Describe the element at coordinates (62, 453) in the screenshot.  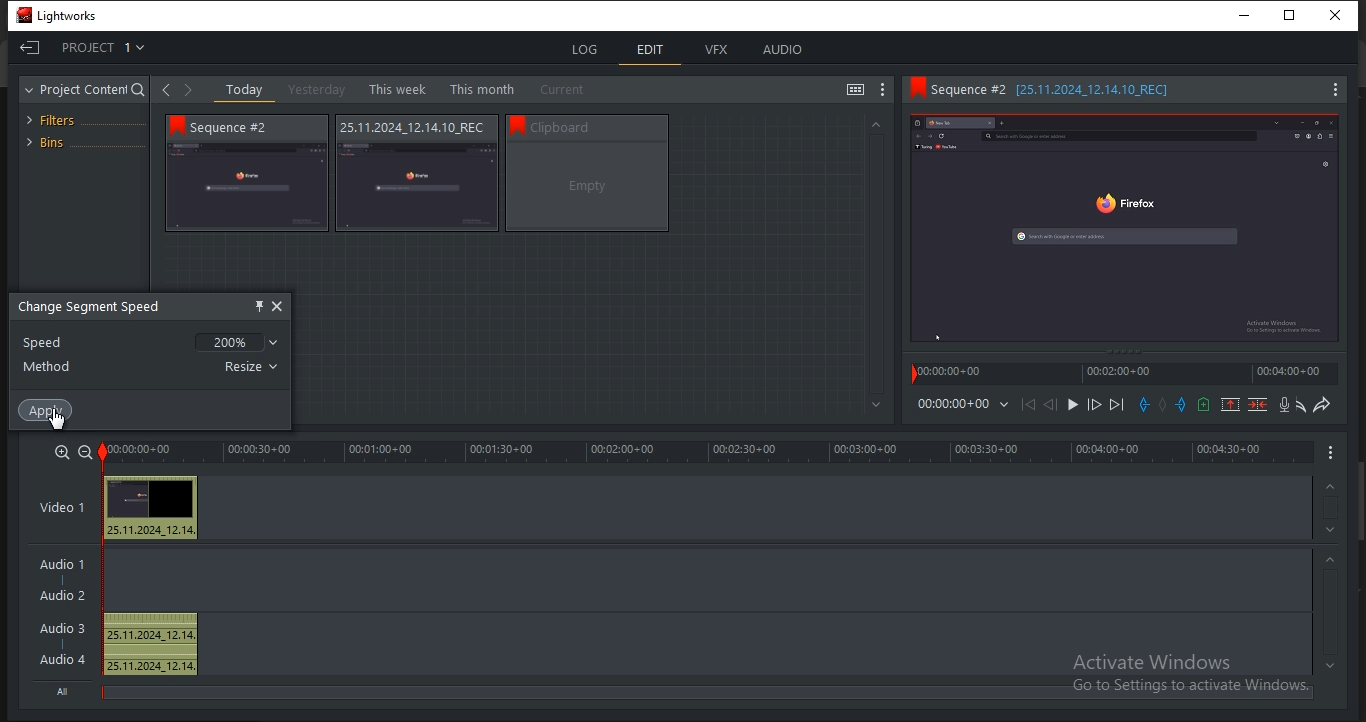
I see `zoom in` at that location.